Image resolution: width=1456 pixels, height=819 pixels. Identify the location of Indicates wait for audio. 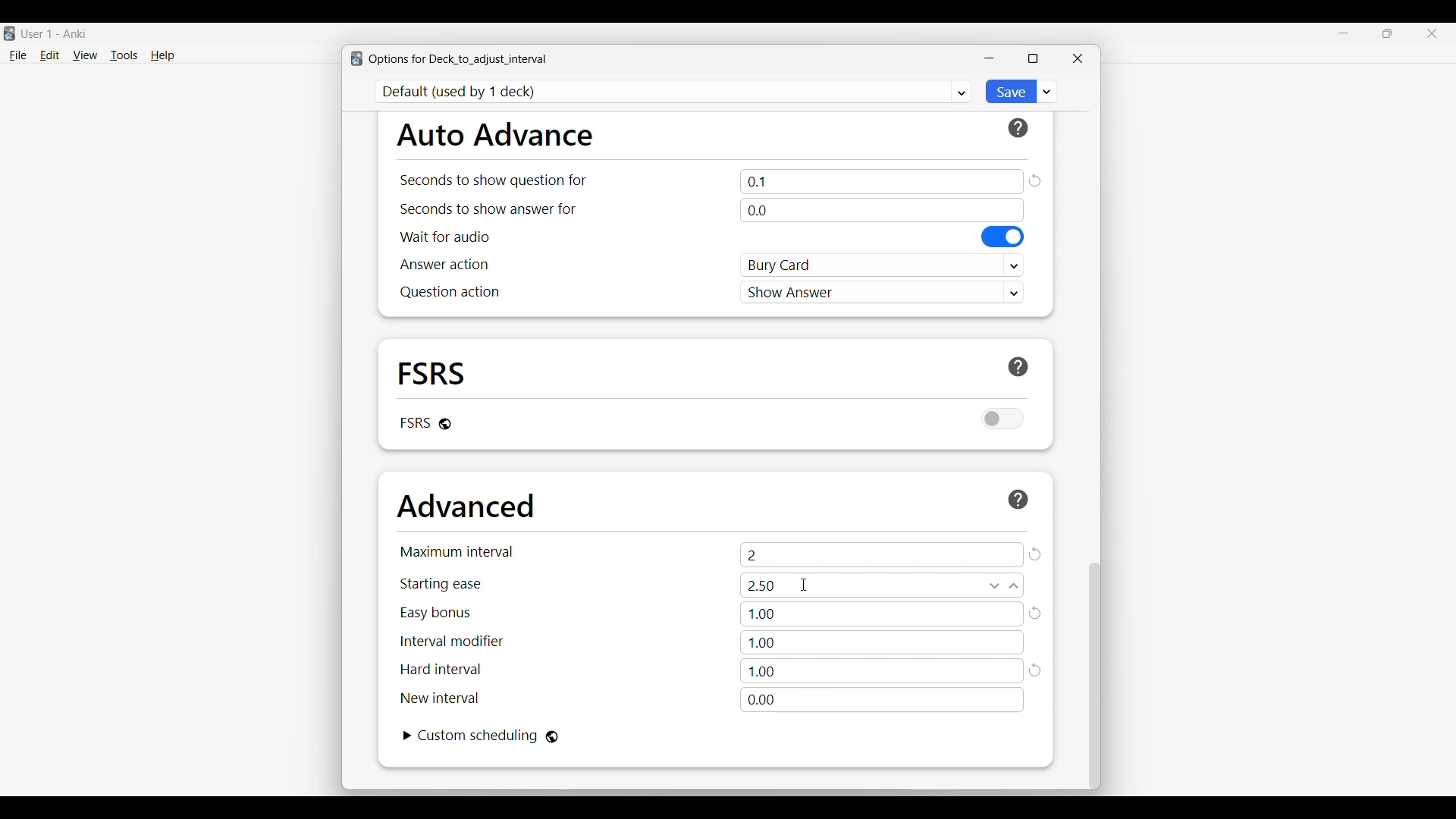
(445, 237).